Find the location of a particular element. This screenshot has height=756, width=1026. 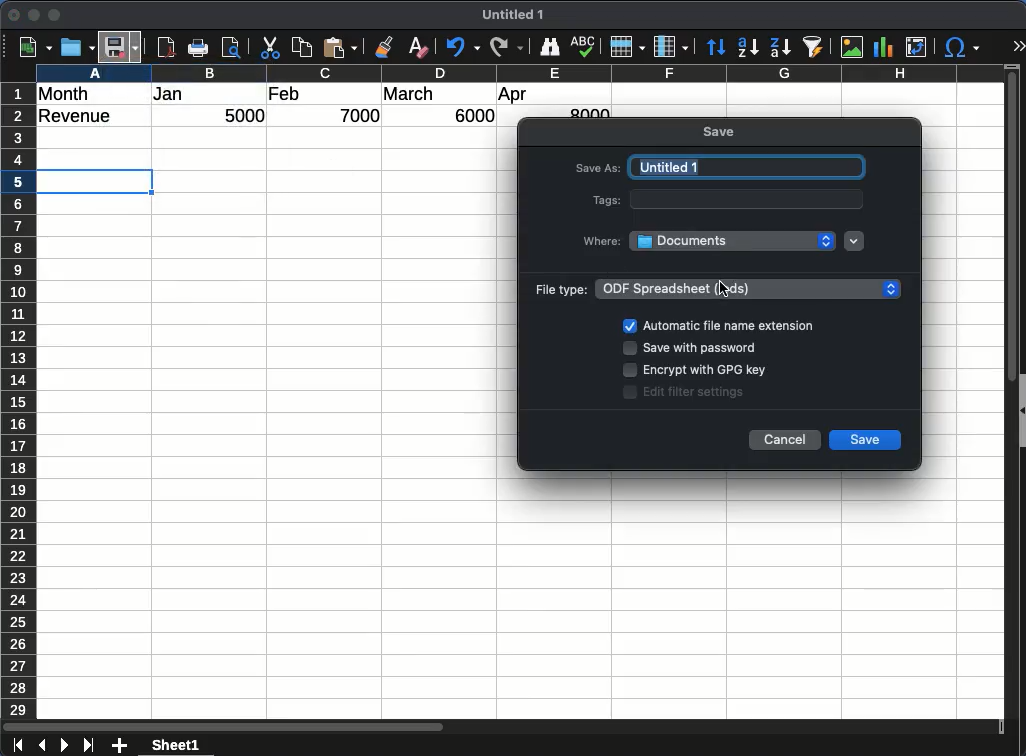

save is located at coordinates (721, 133).